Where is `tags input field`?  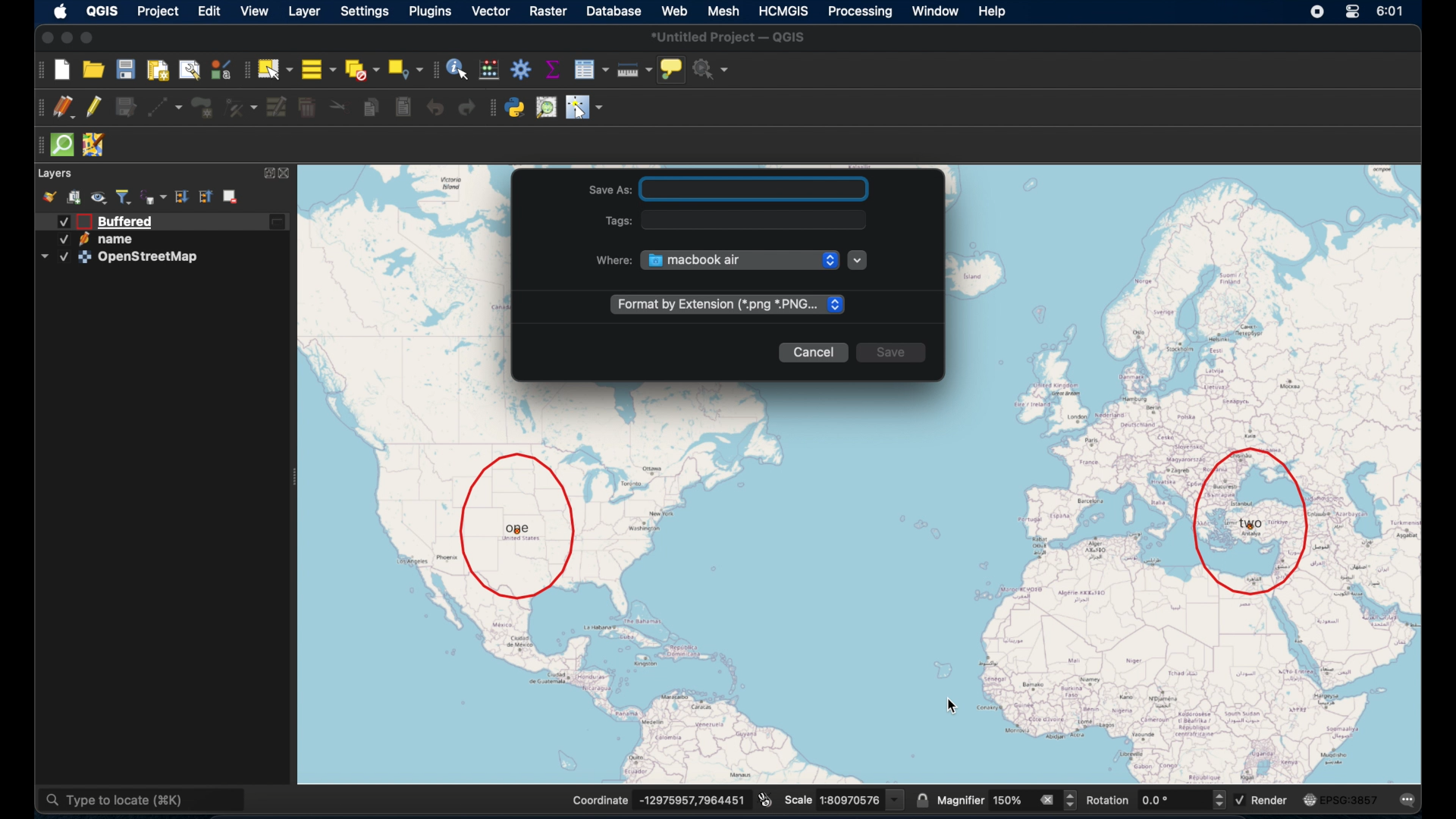 tags input field is located at coordinates (759, 220).